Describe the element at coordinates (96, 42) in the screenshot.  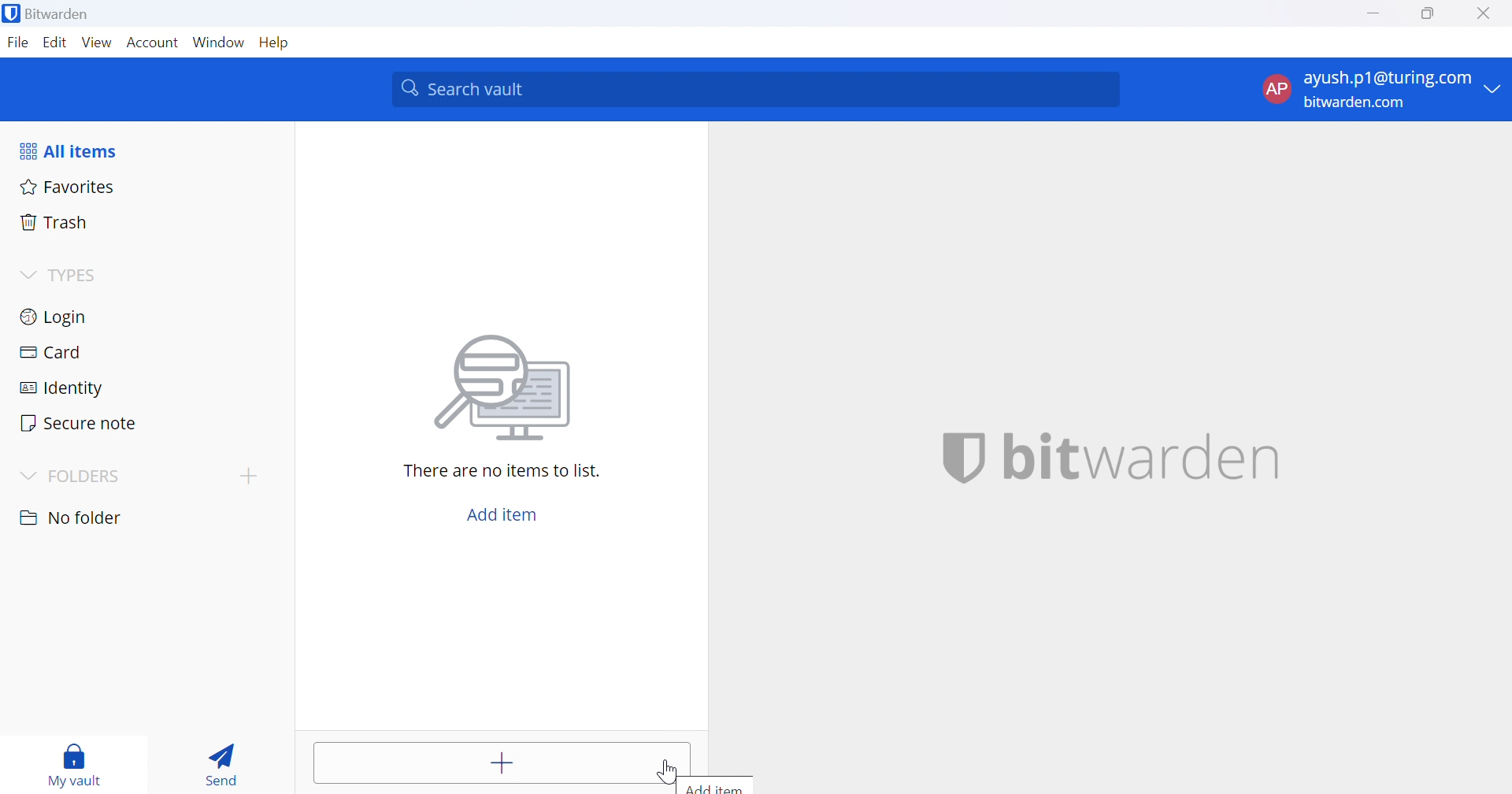
I see `View` at that location.